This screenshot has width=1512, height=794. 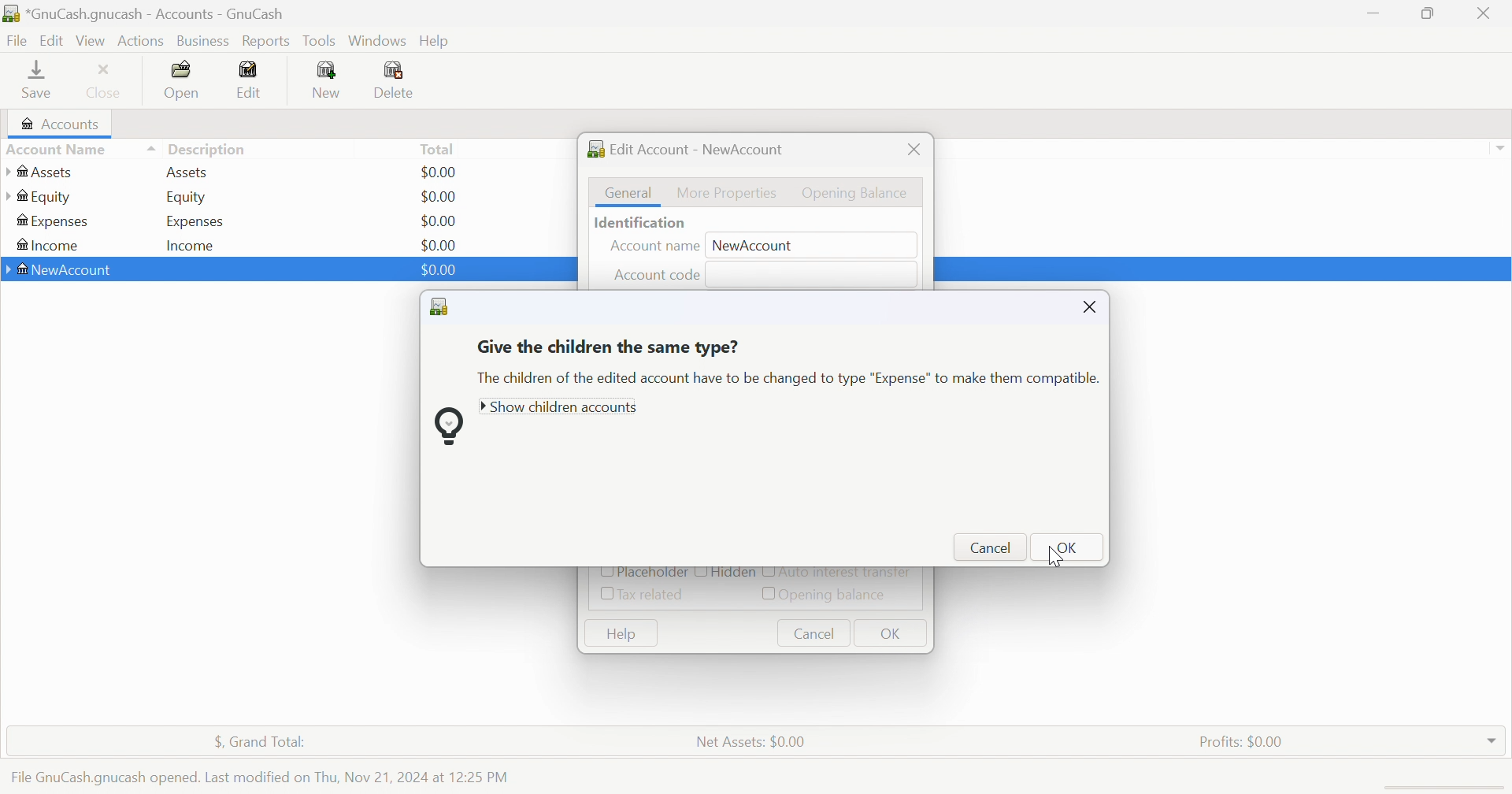 I want to click on Profits: $0.00, so click(x=1244, y=742).